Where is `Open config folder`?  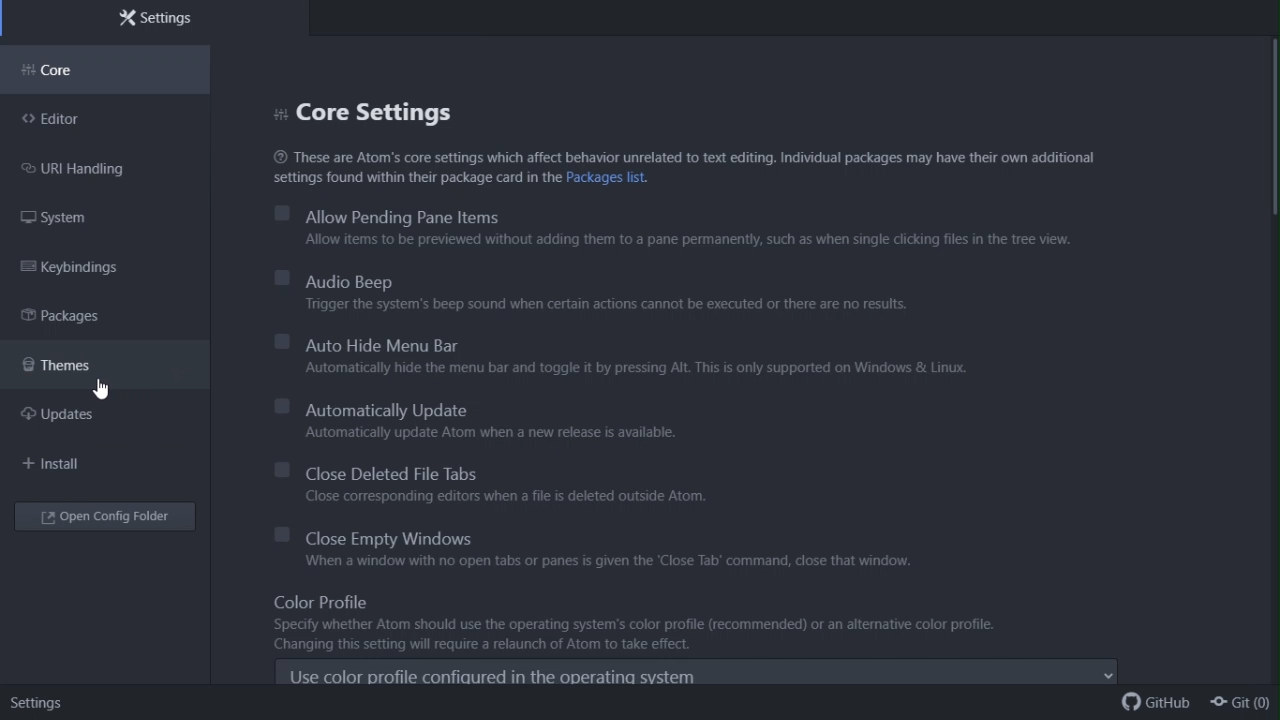 Open config folder is located at coordinates (110, 519).